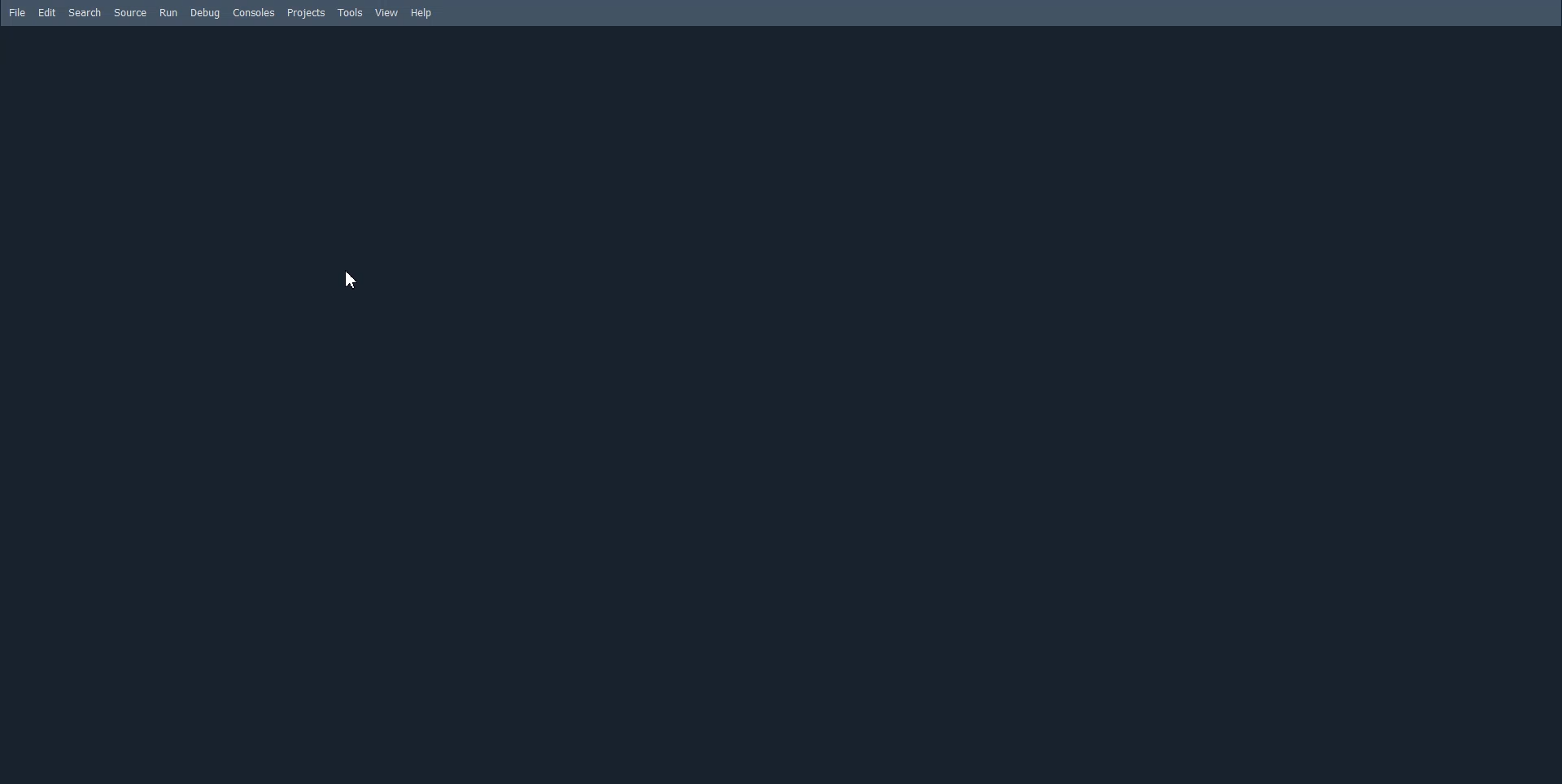 The height and width of the screenshot is (784, 1562). I want to click on Debug, so click(203, 13).